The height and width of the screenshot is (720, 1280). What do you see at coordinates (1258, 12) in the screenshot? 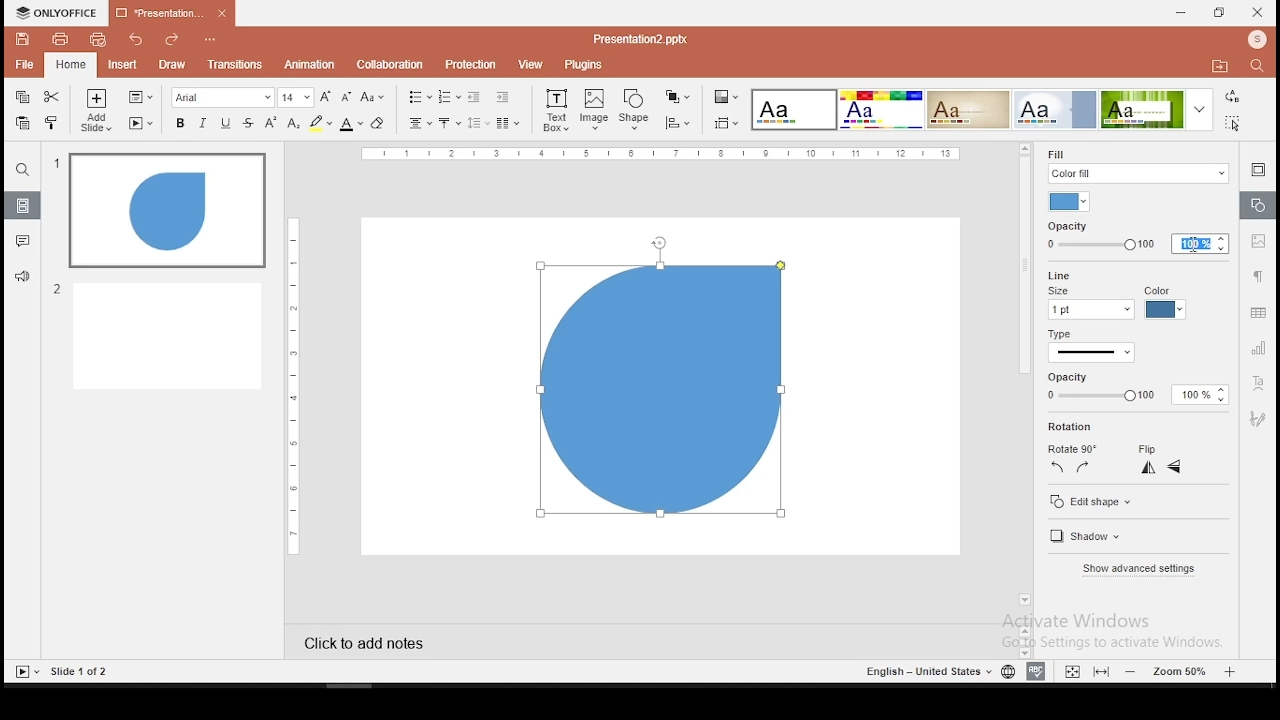
I see `close window` at bounding box center [1258, 12].